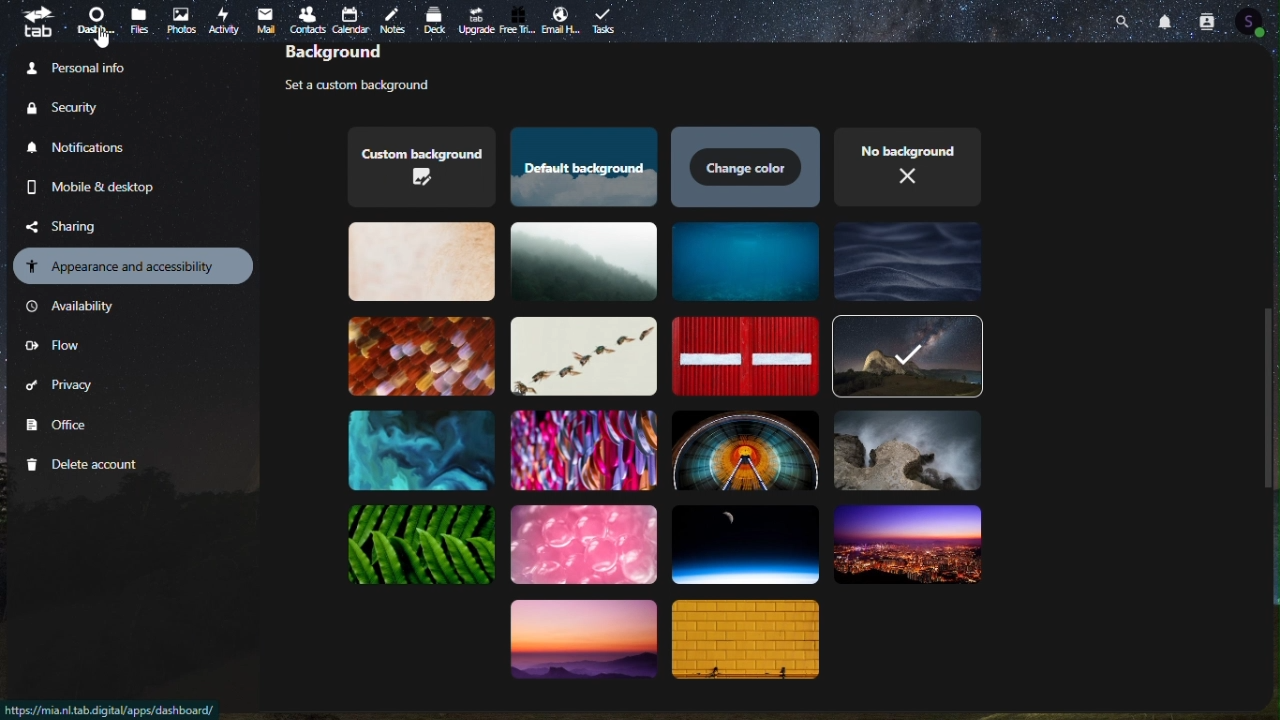 The width and height of the screenshot is (1280, 720). Describe the element at coordinates (77, 225) in the screenshot. I see `Sharing` at that location.